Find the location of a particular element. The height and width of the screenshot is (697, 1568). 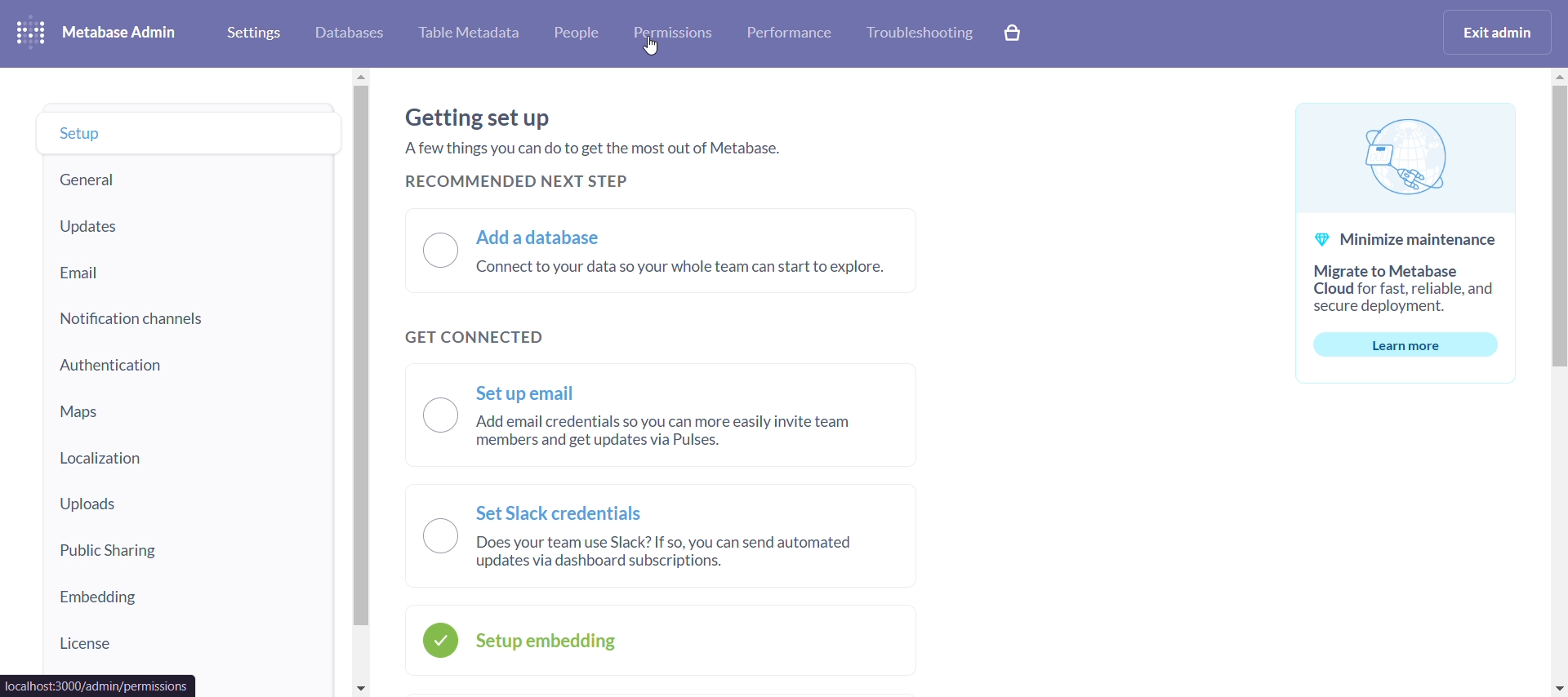

general is located at coordinates (189, 177).